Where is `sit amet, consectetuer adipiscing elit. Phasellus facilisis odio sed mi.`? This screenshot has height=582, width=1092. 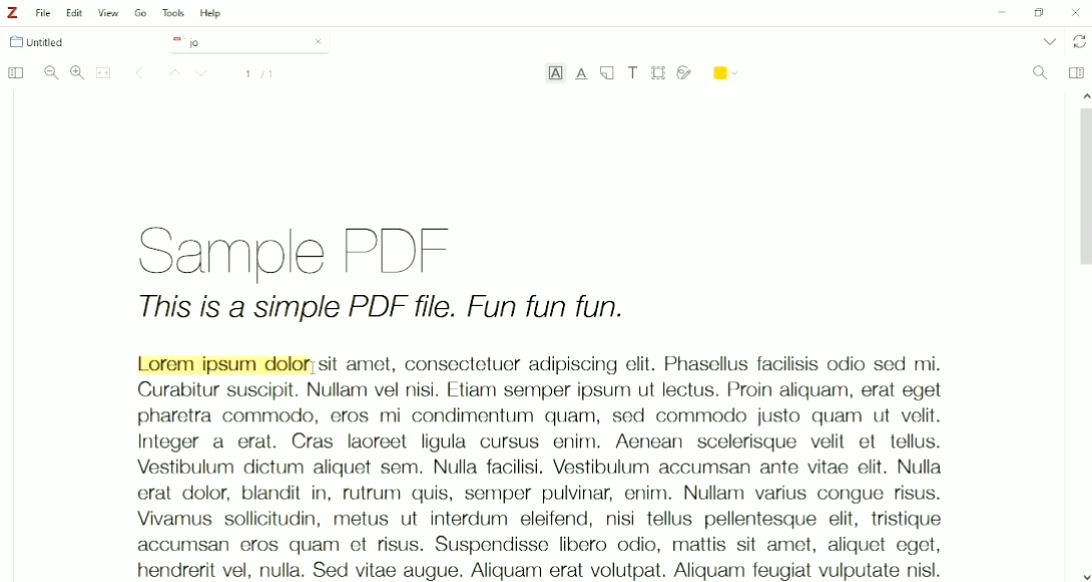
sit amet, consectetuer adipiscing elit. Phasellus facilisis odio sed mi. is located at coordinates (631, 364).